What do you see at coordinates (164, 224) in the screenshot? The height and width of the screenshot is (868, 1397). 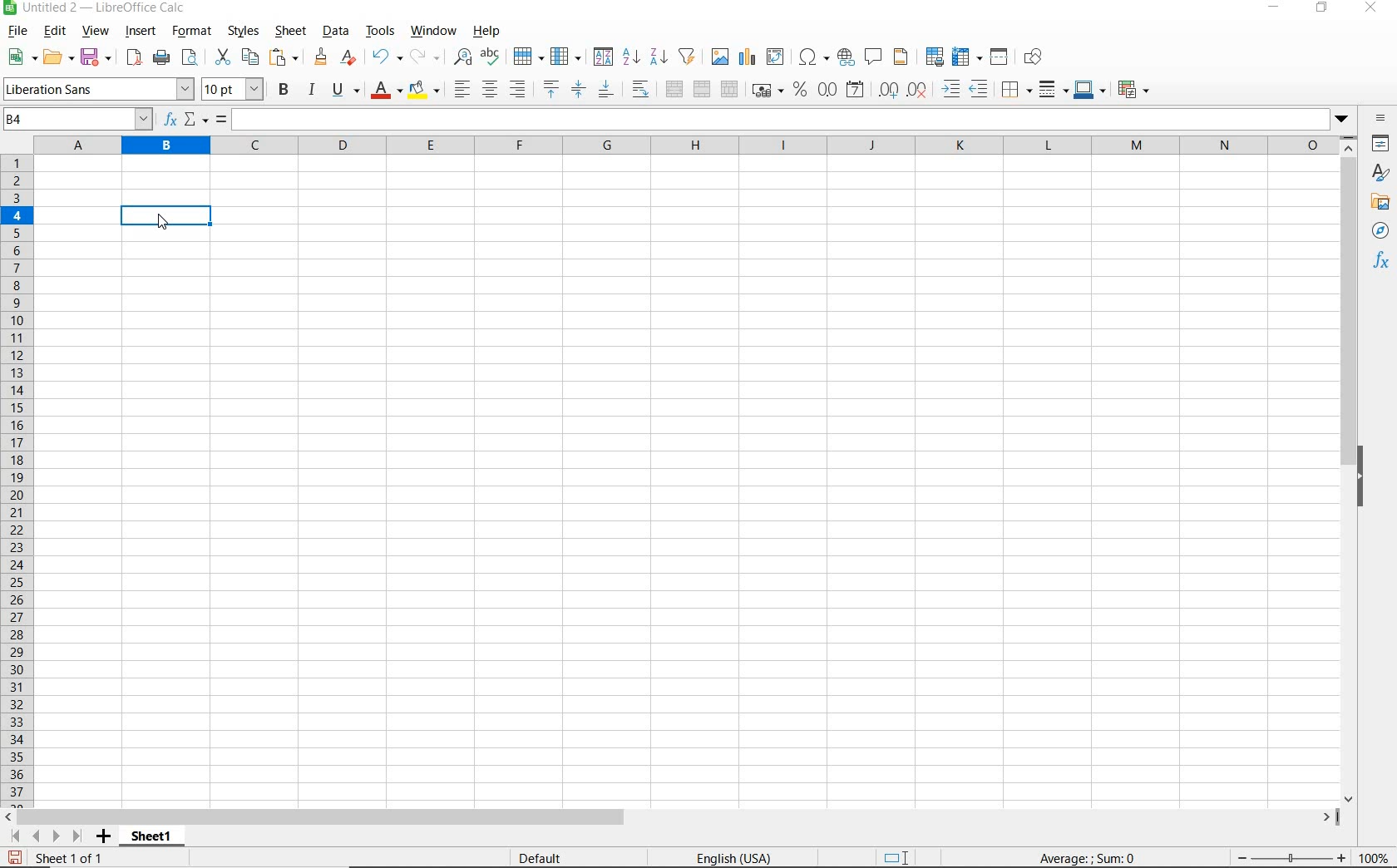 I see `cursor` at bounding box center [164, 224].